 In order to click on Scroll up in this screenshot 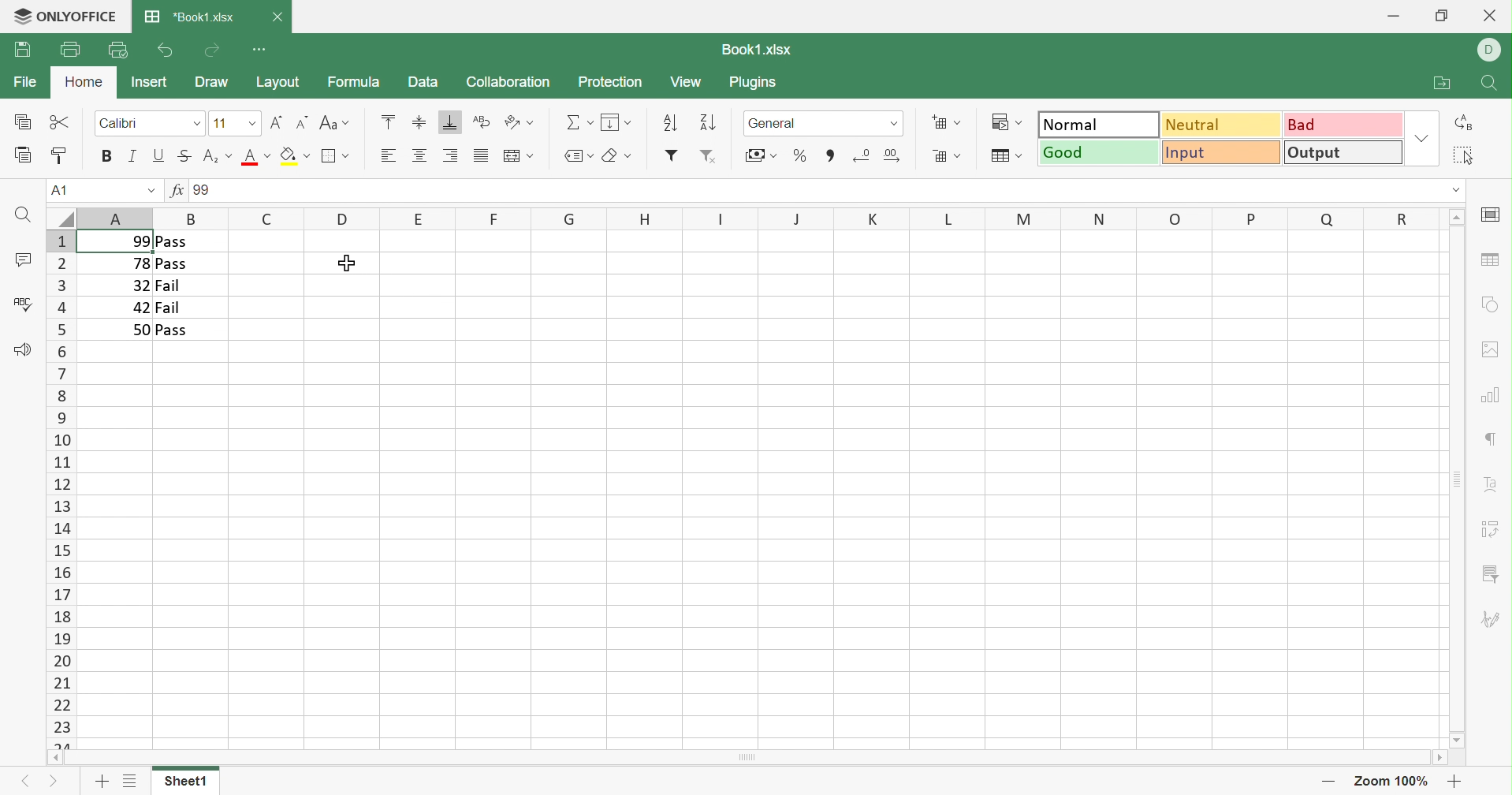, I will do `click(1458, 215)`.